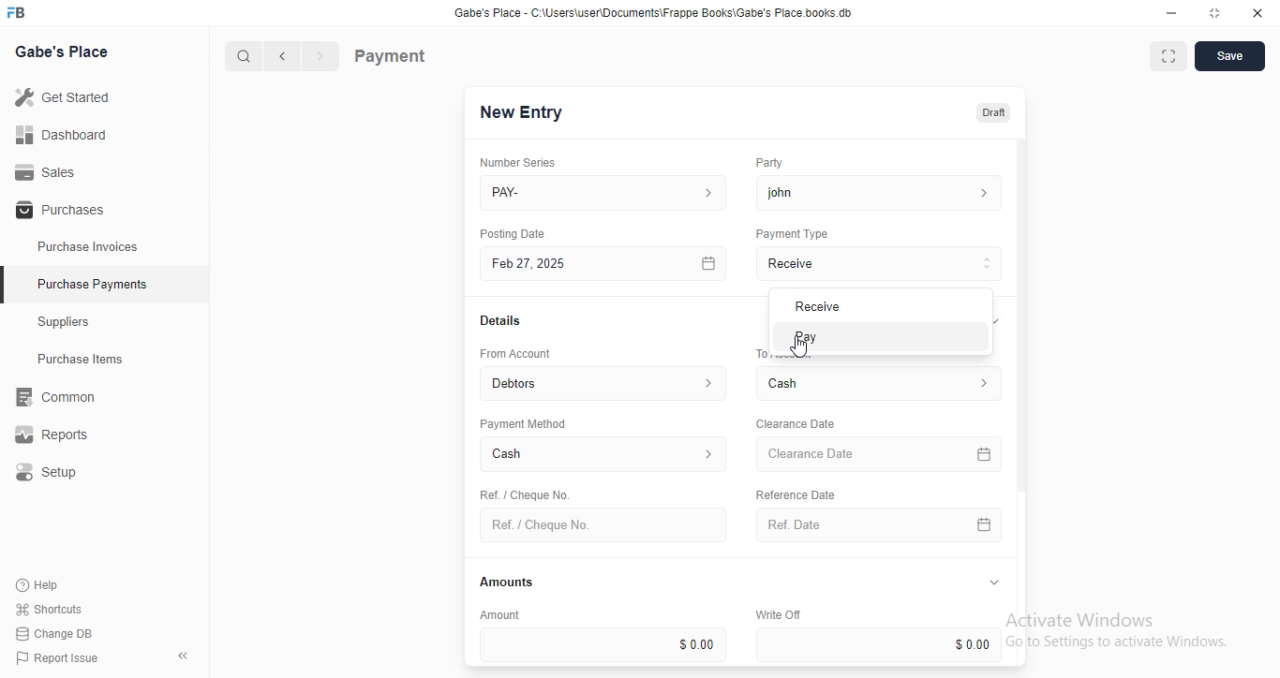  I want to click on Suppliers, so click(70, 324).